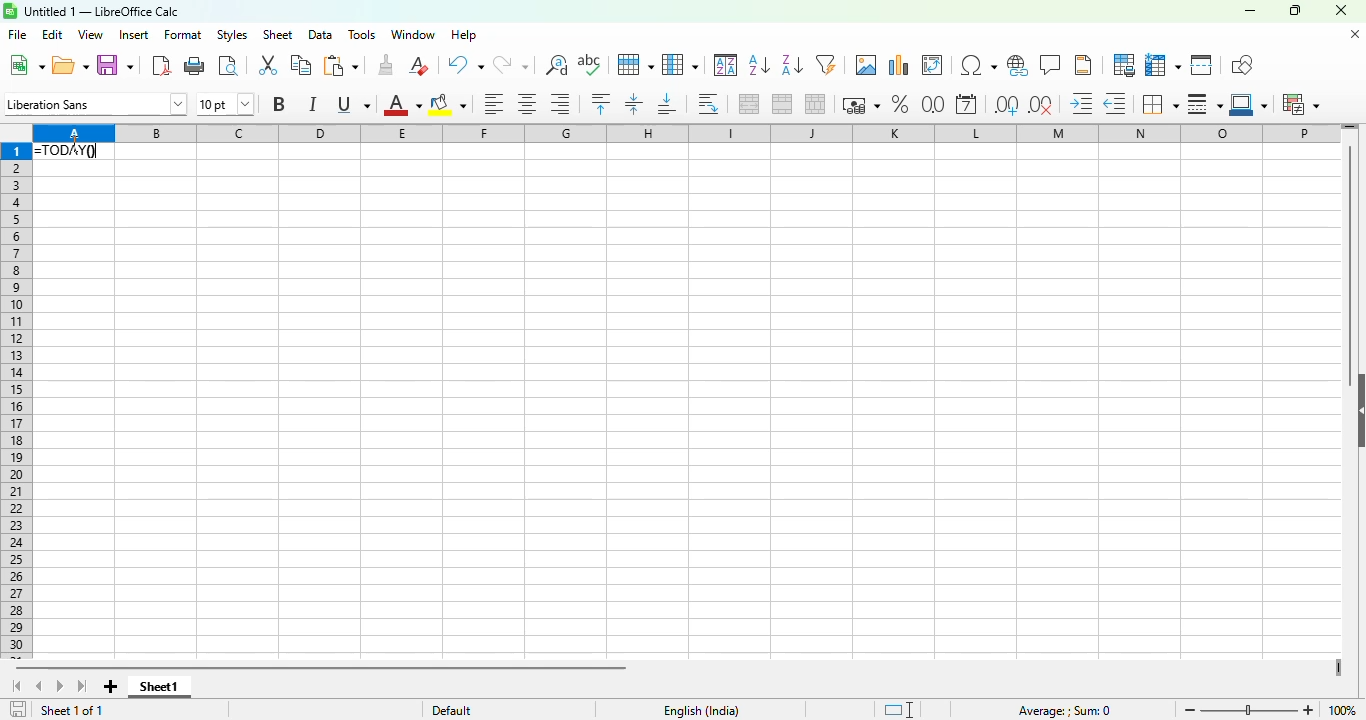 Image resolution: width=1366 pixels, height=720 pixels. Describe the element at coordinates (1343, 710) in the screenshot. I see `zoom factor` at that location.